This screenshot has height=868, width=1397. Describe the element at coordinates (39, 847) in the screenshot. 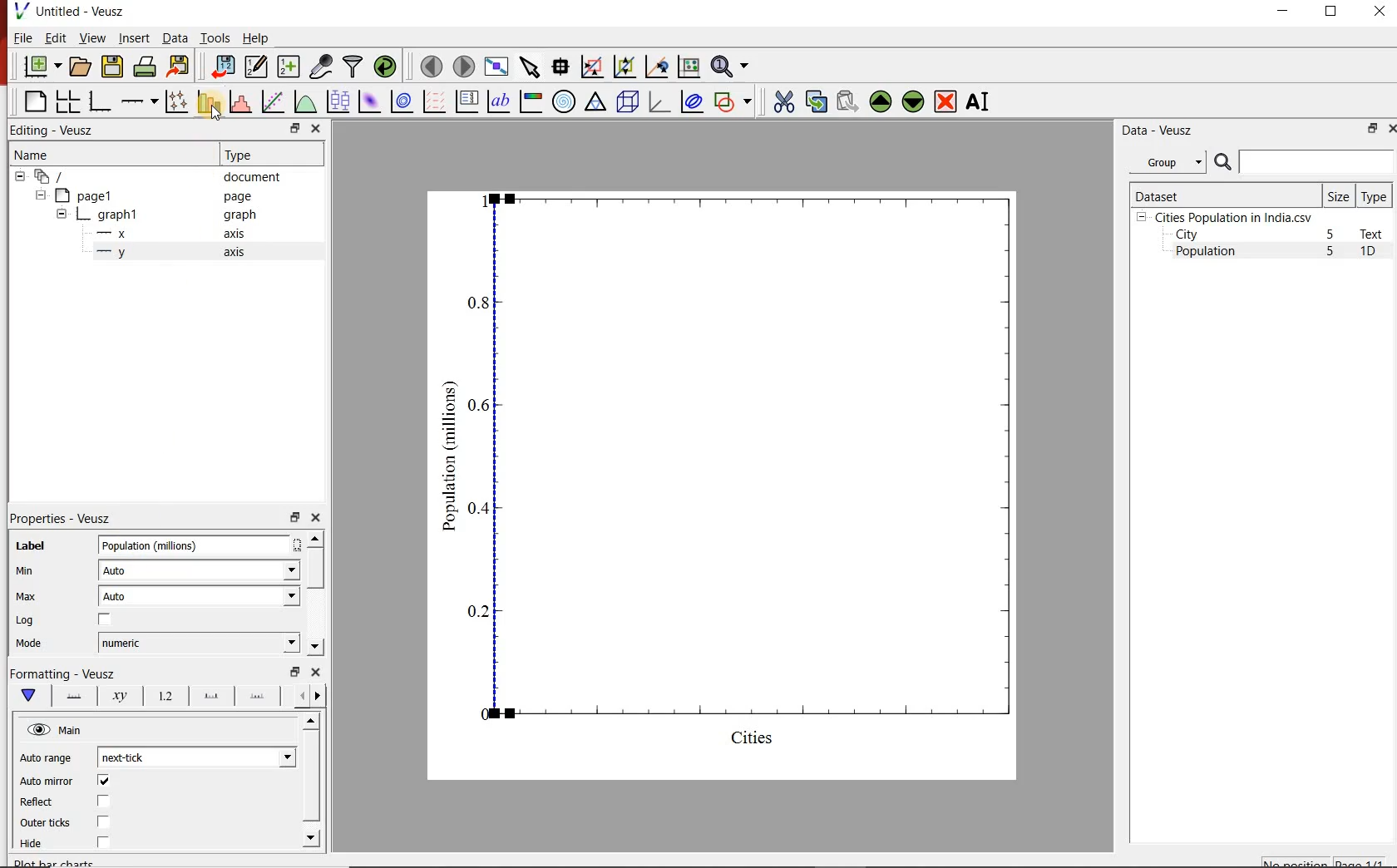

I see `Hide` at that location.